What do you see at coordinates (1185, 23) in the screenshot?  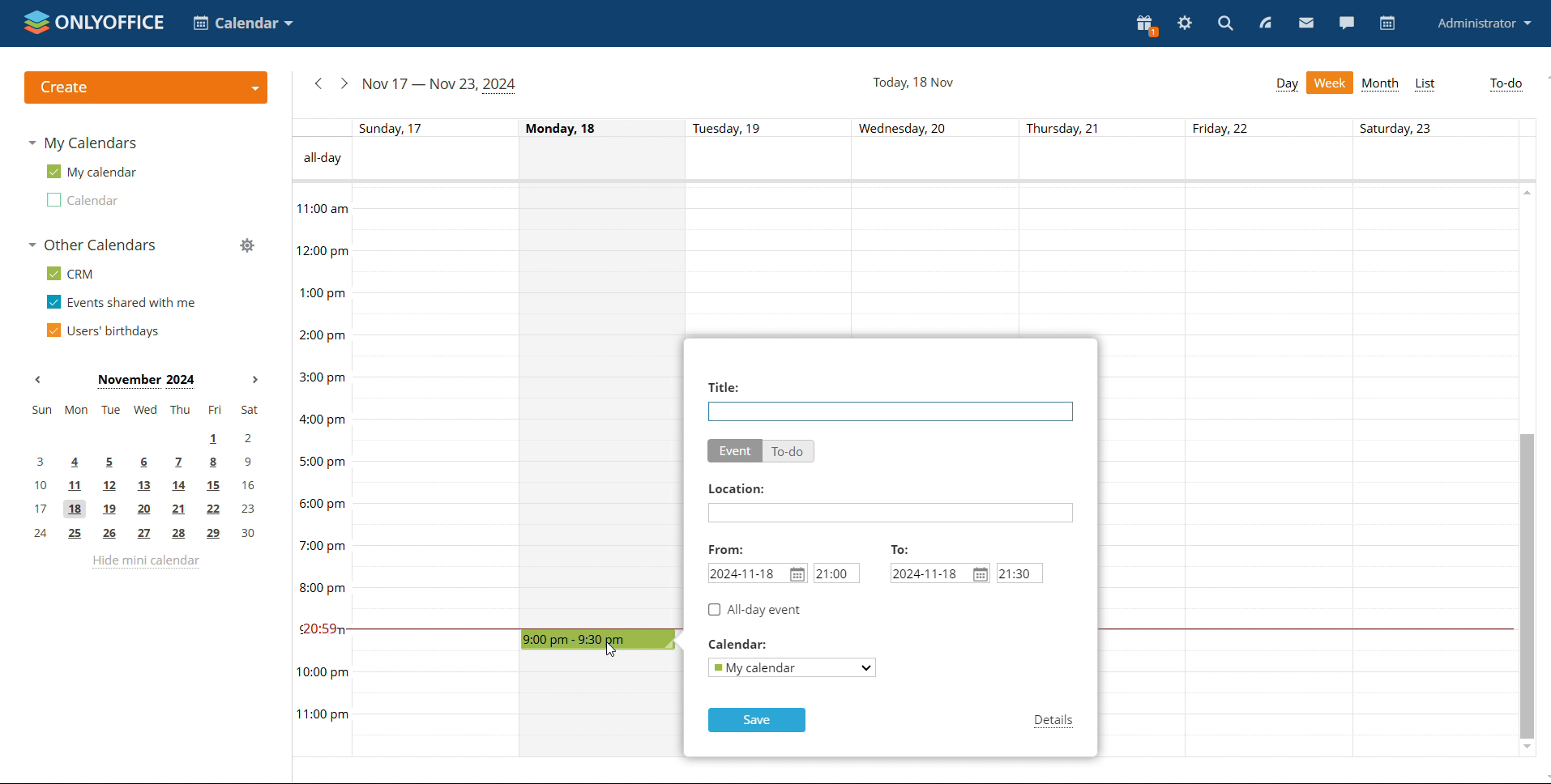 I see `settings` at bounding box center [1185, 23].